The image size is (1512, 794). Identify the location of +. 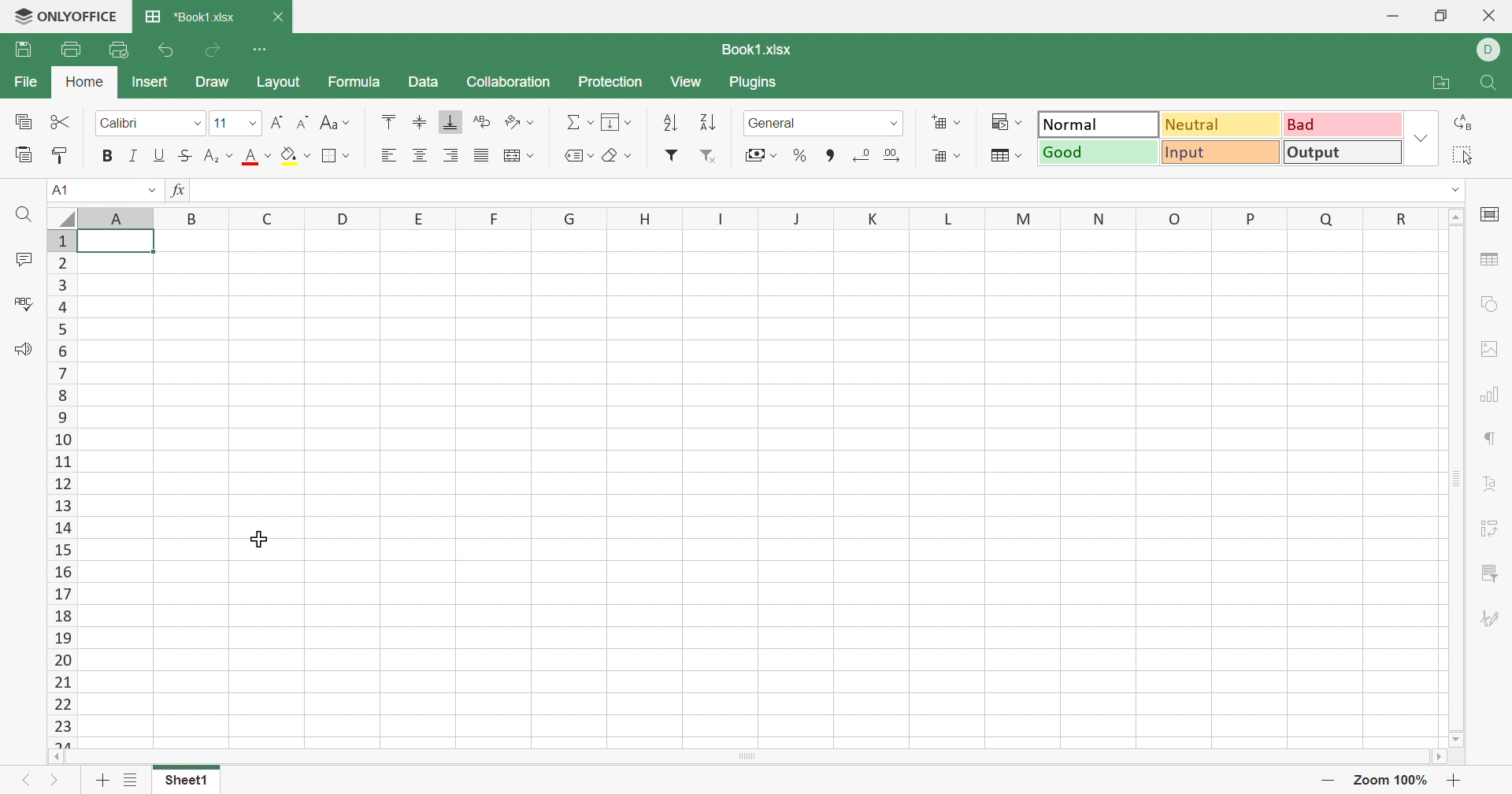
(1456, 780).